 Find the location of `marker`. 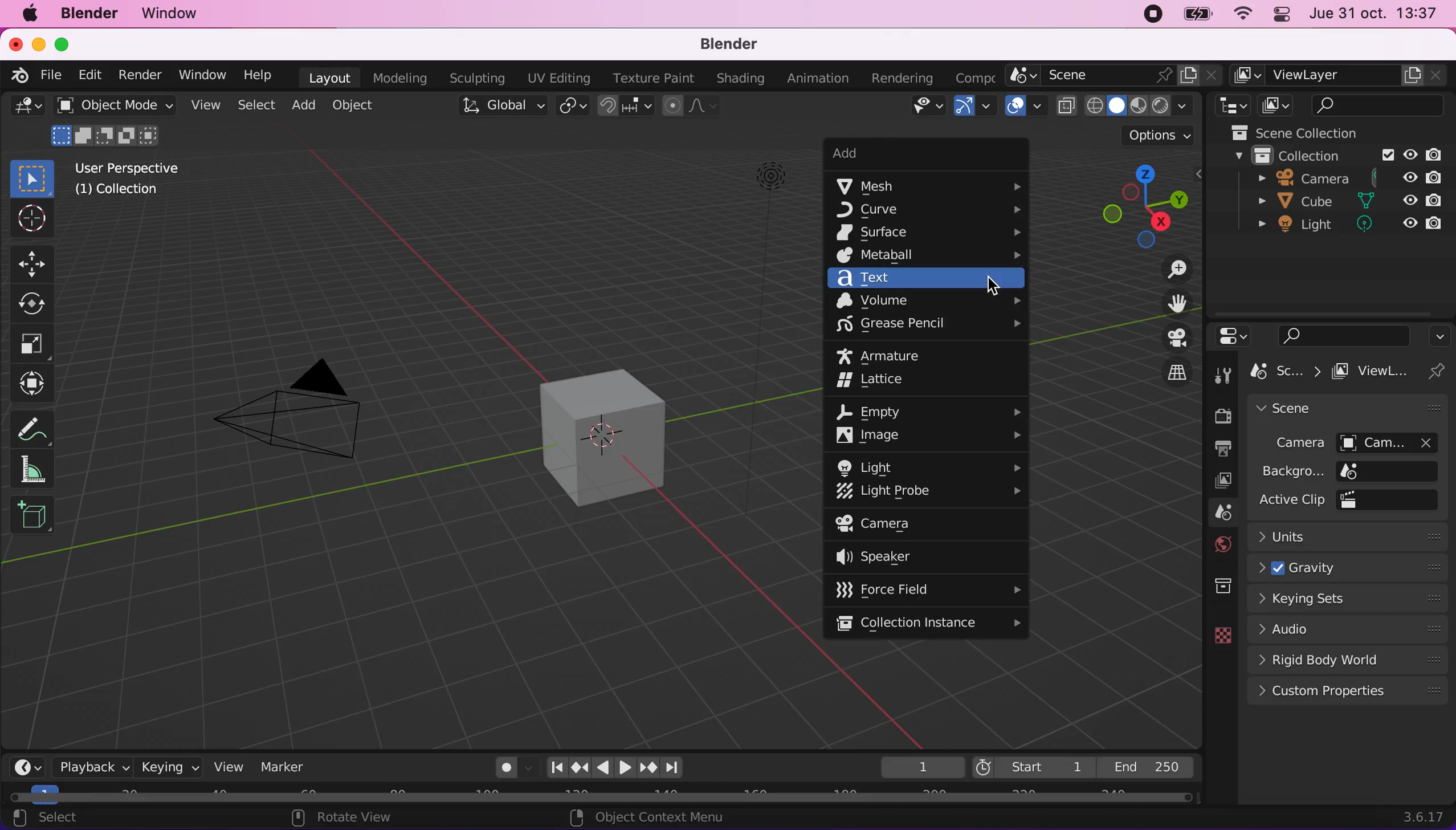

marker is located at coordinates (288, 766).